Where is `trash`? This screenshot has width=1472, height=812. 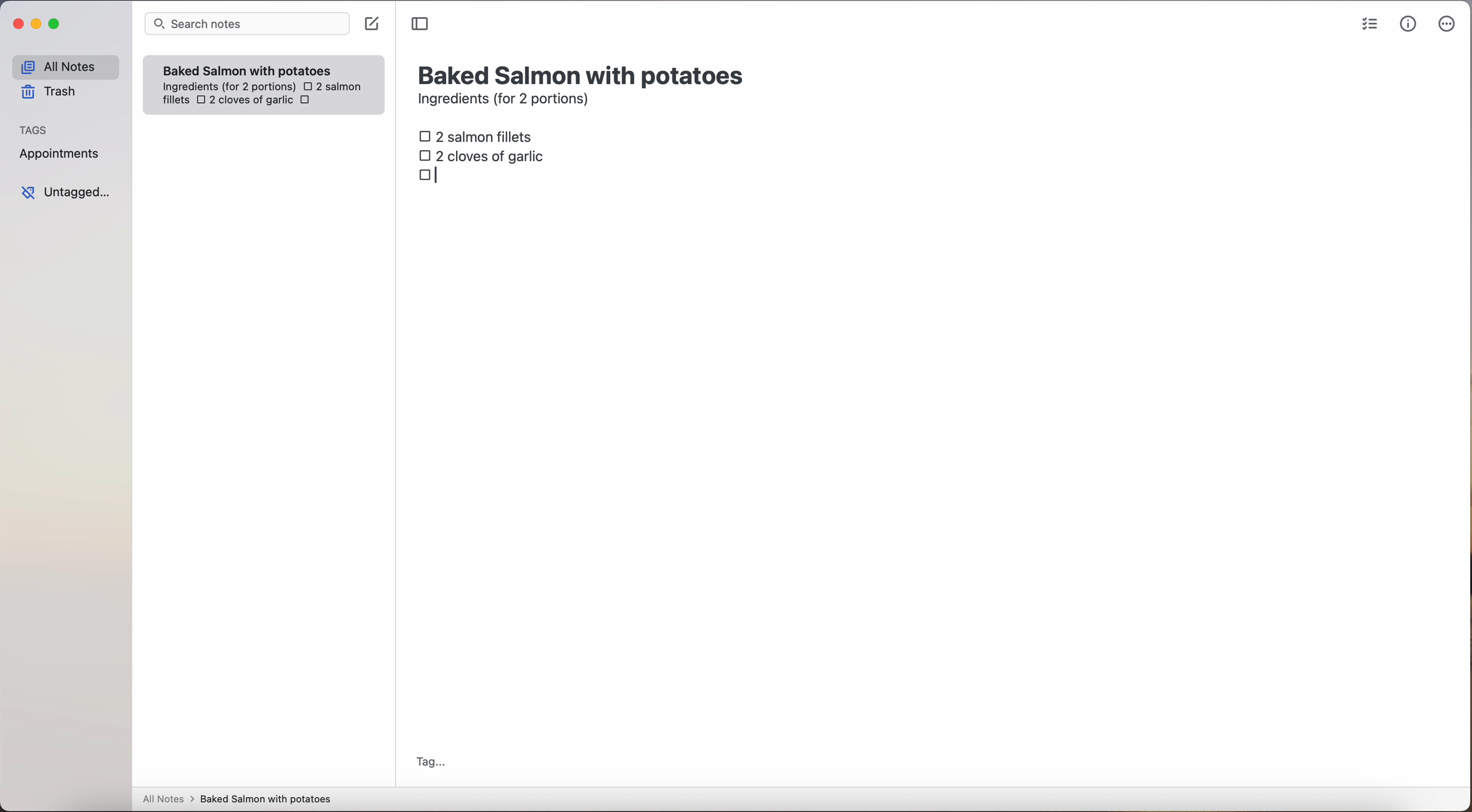 trash is located at coordinates (53, 92).